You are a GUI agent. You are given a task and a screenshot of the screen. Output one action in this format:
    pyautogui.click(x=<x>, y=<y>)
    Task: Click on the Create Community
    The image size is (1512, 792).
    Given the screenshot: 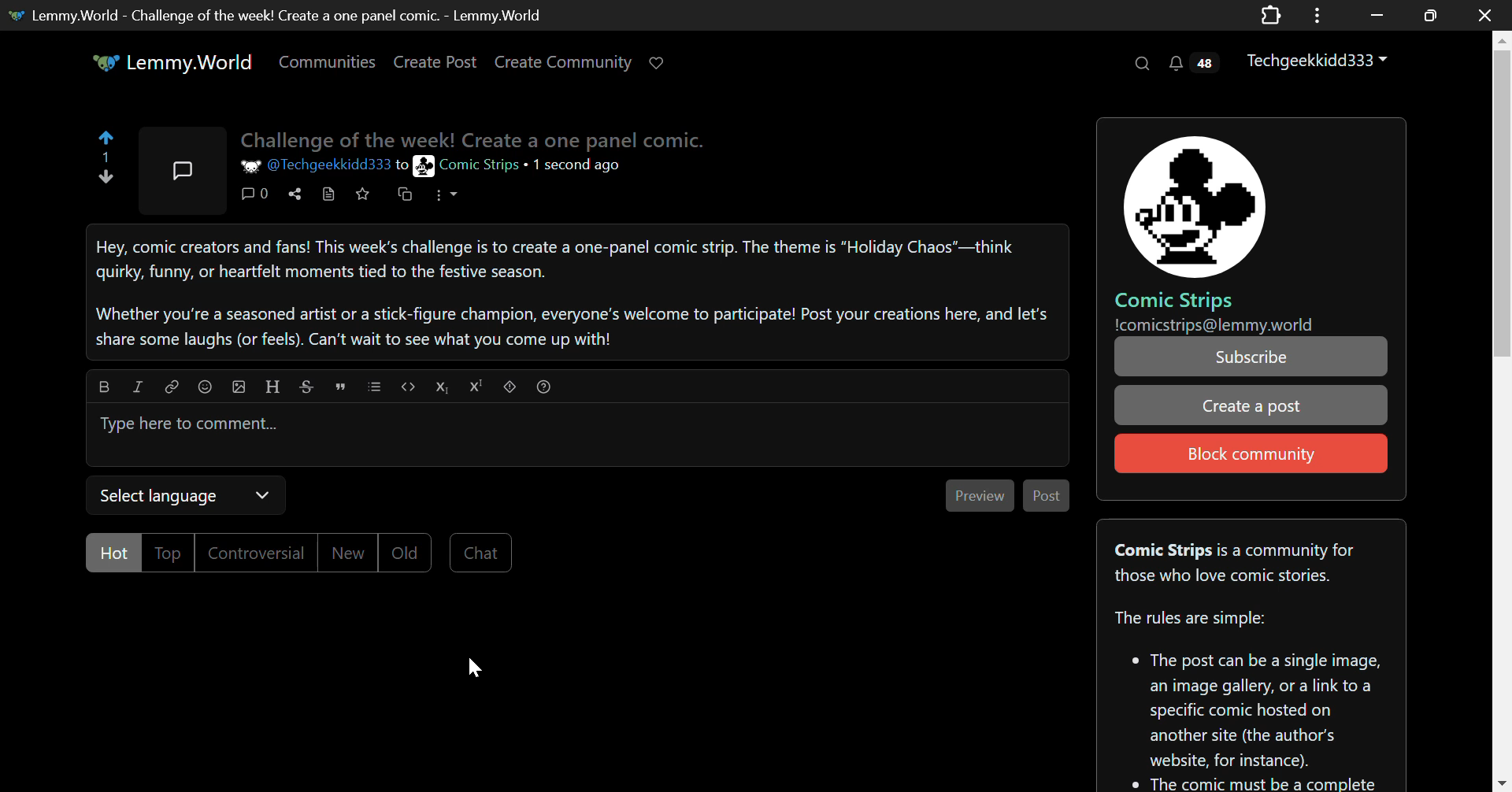 What is the action you would take?
    pyautogui.click(x=564, y=63)
    